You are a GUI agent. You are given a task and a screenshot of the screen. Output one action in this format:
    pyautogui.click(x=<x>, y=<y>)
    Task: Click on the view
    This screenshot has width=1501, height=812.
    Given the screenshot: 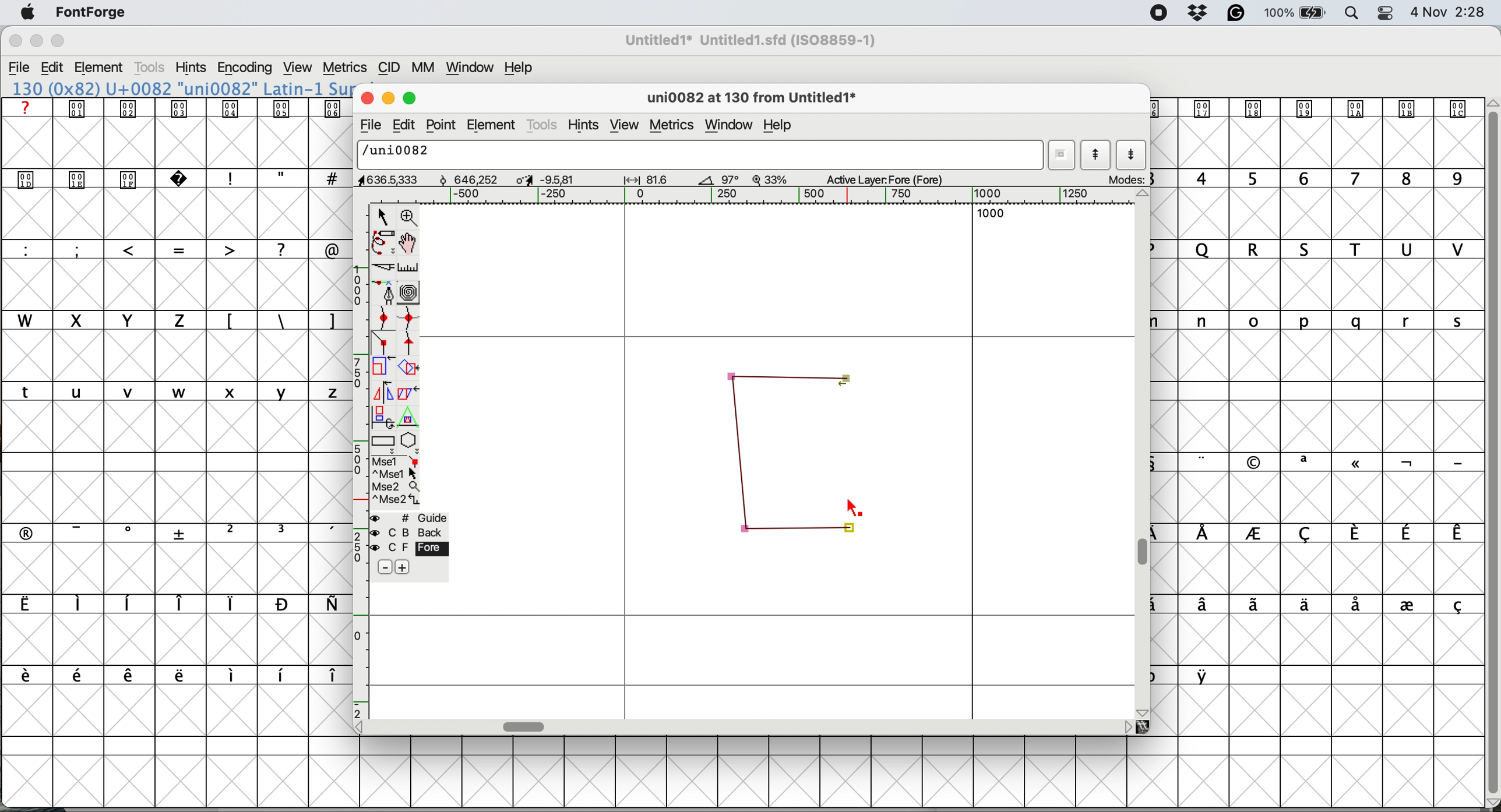 What is the action you would take?
    pyautogui.click(x=625, y=126)
    